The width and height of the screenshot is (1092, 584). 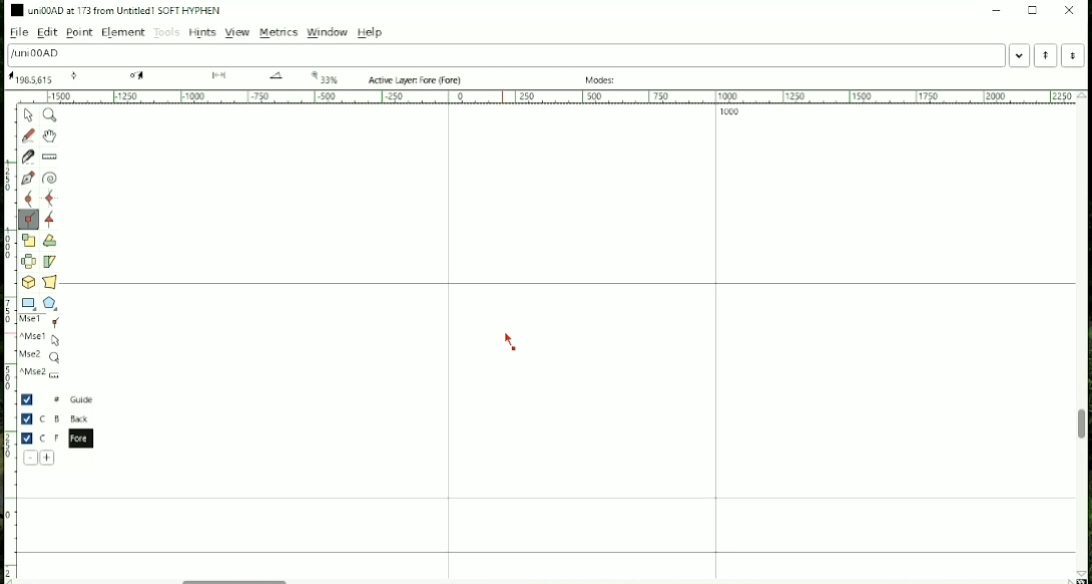 I want to click on Measure distance, angle between points, so click(x=51, y=157).